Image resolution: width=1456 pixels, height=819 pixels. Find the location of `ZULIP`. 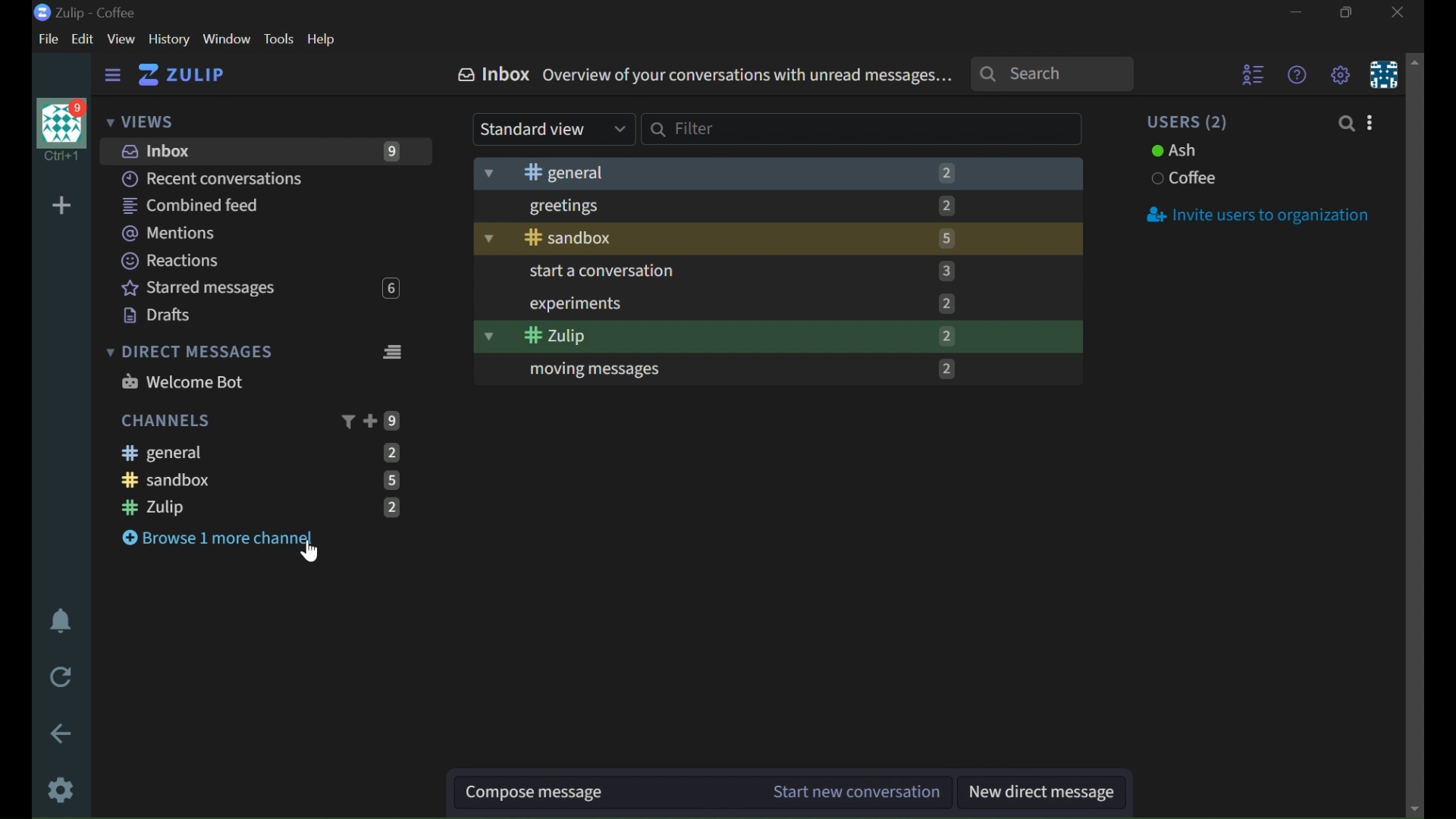

ZULIP is located at coordinates (182, 76).